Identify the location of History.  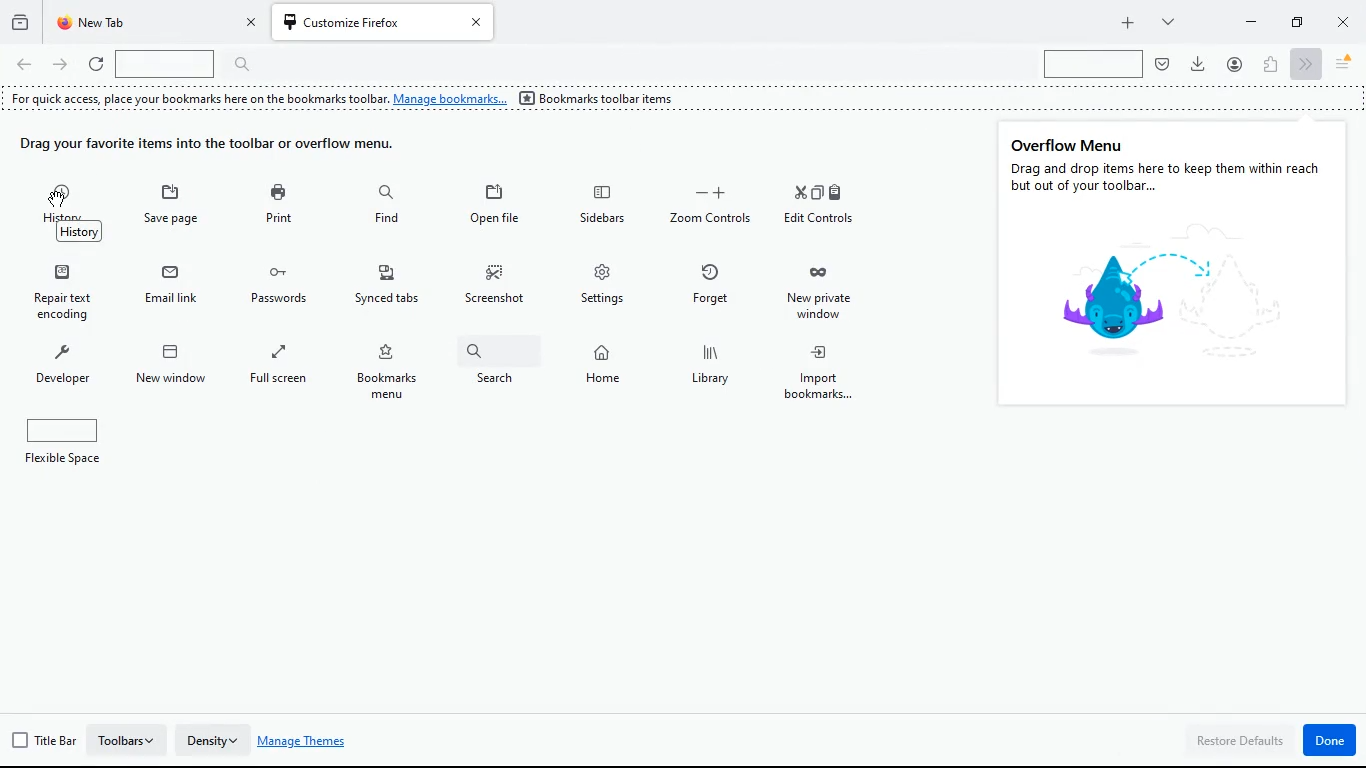
(81, 230).